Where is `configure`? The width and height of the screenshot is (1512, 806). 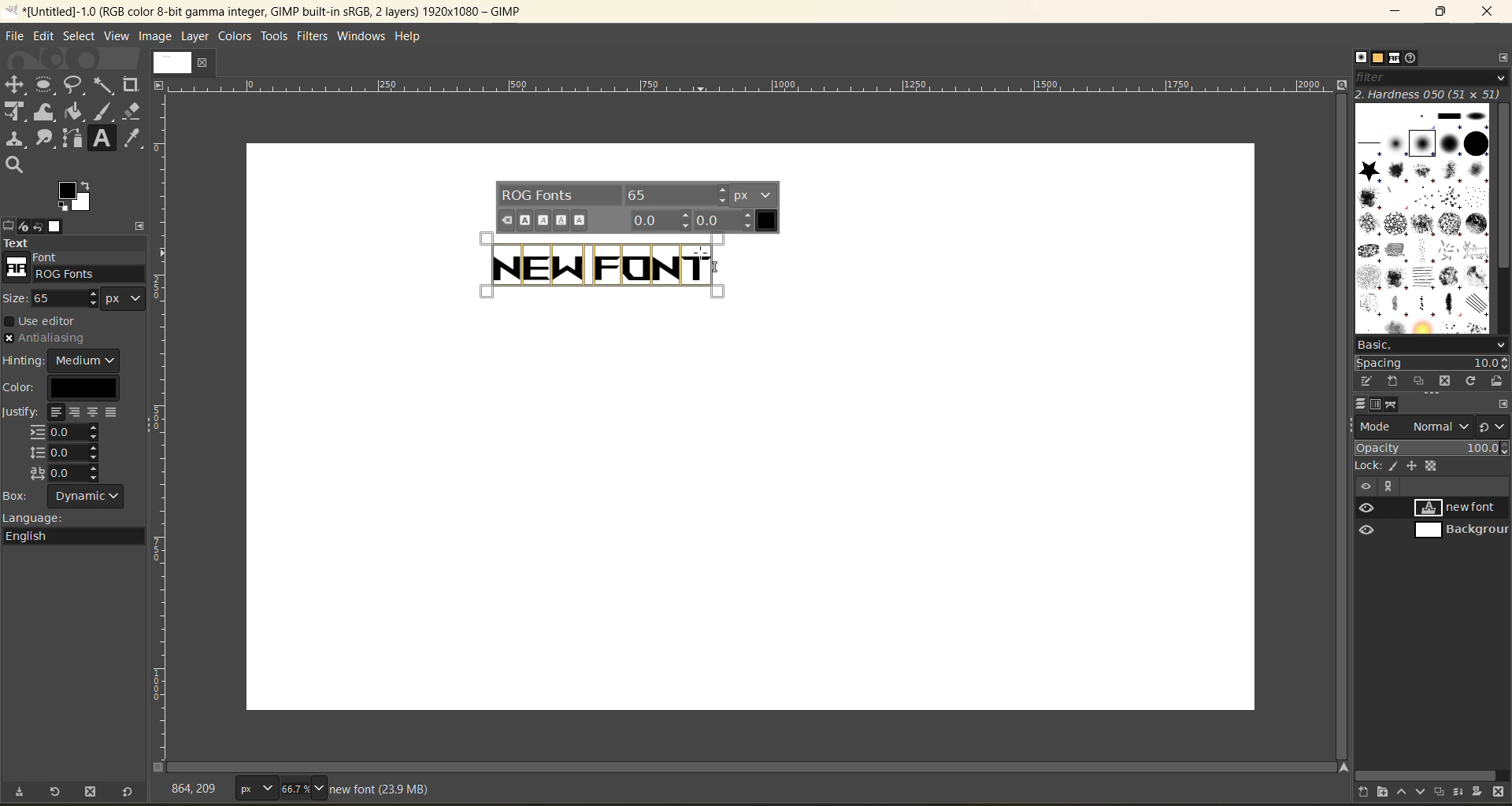 configure is located at coordinates (1503, 405).